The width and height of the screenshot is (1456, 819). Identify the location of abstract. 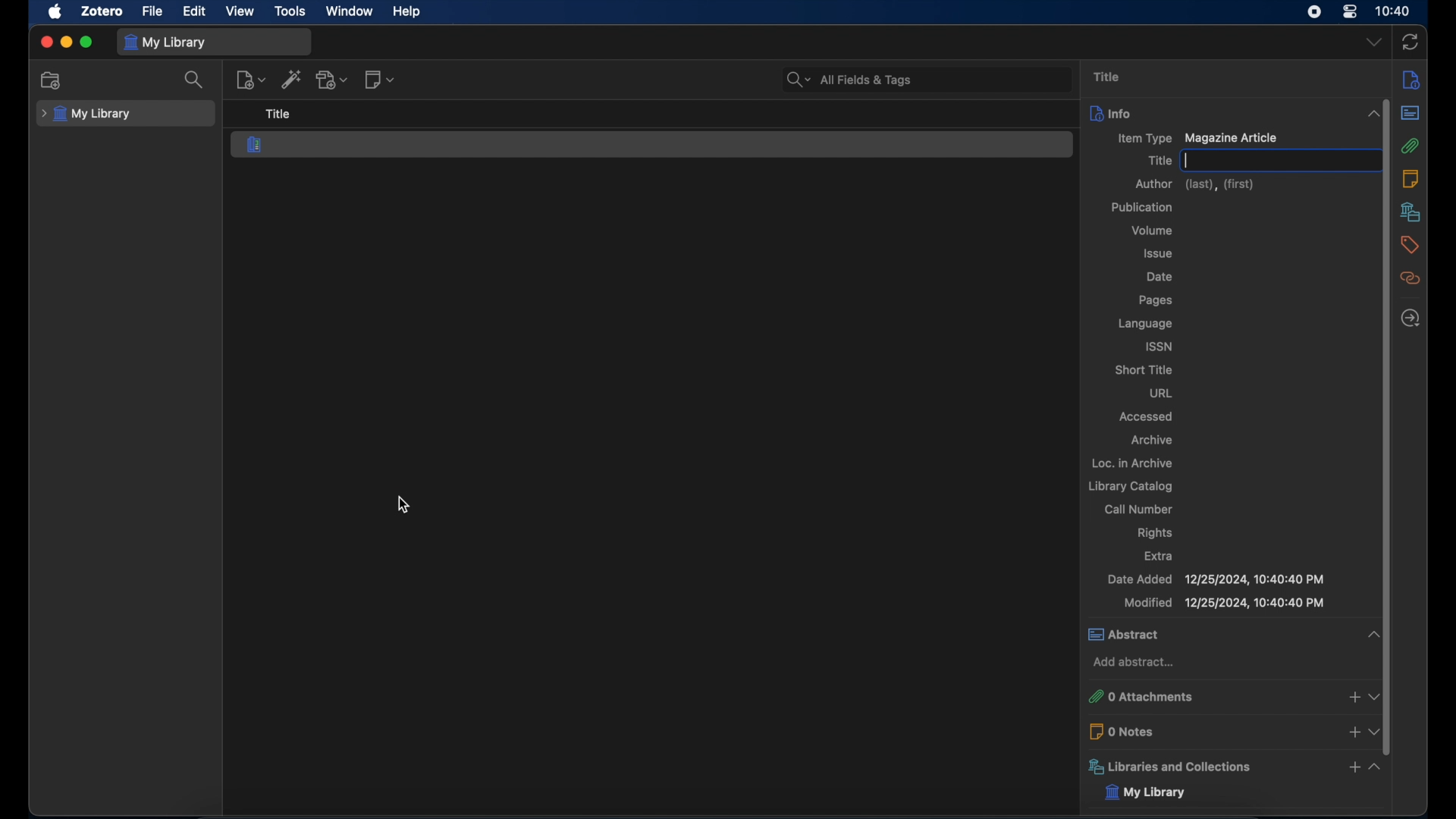
(1230, 634).